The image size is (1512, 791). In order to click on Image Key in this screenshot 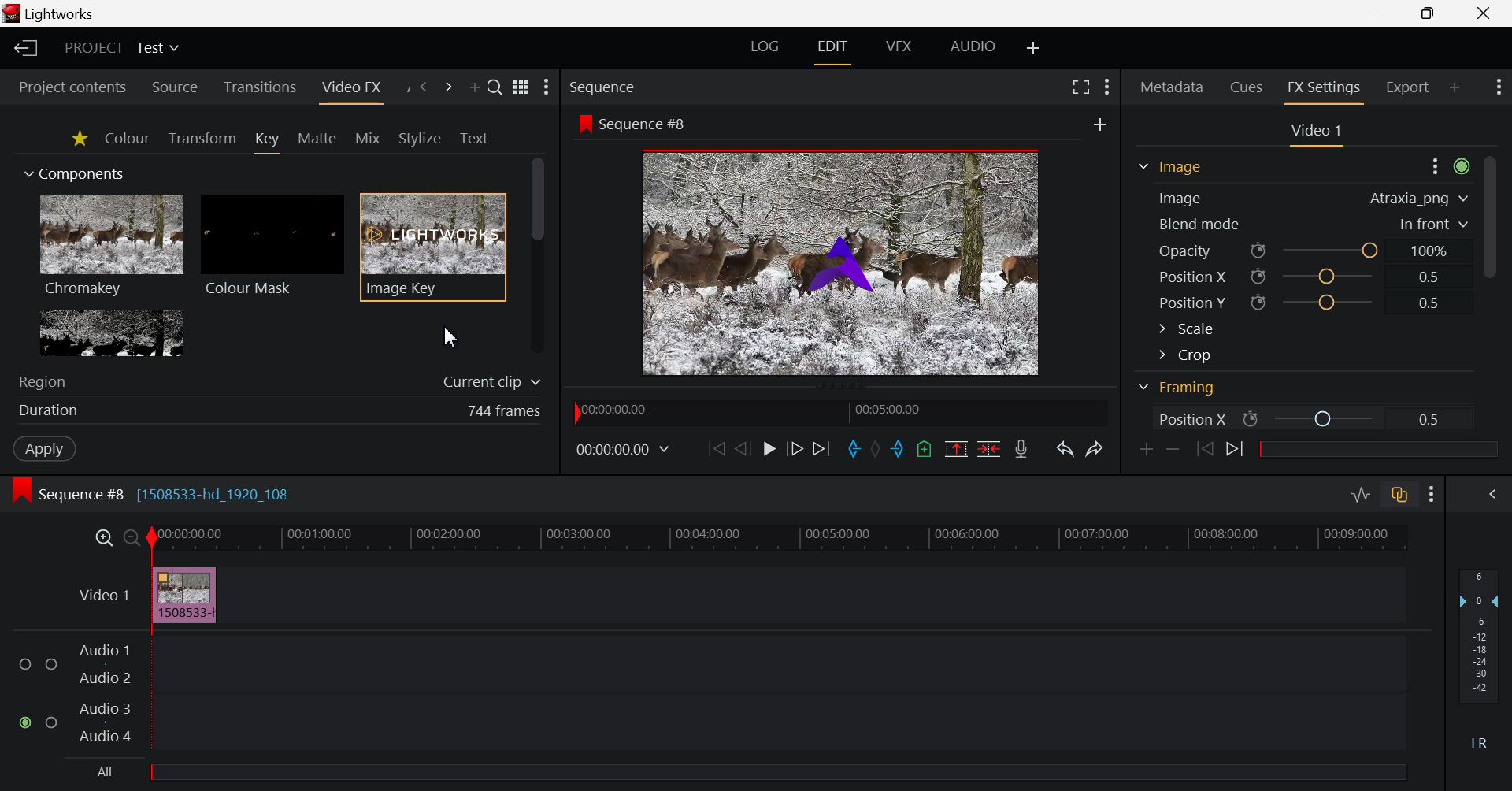, I will do `click(433, 246)`.